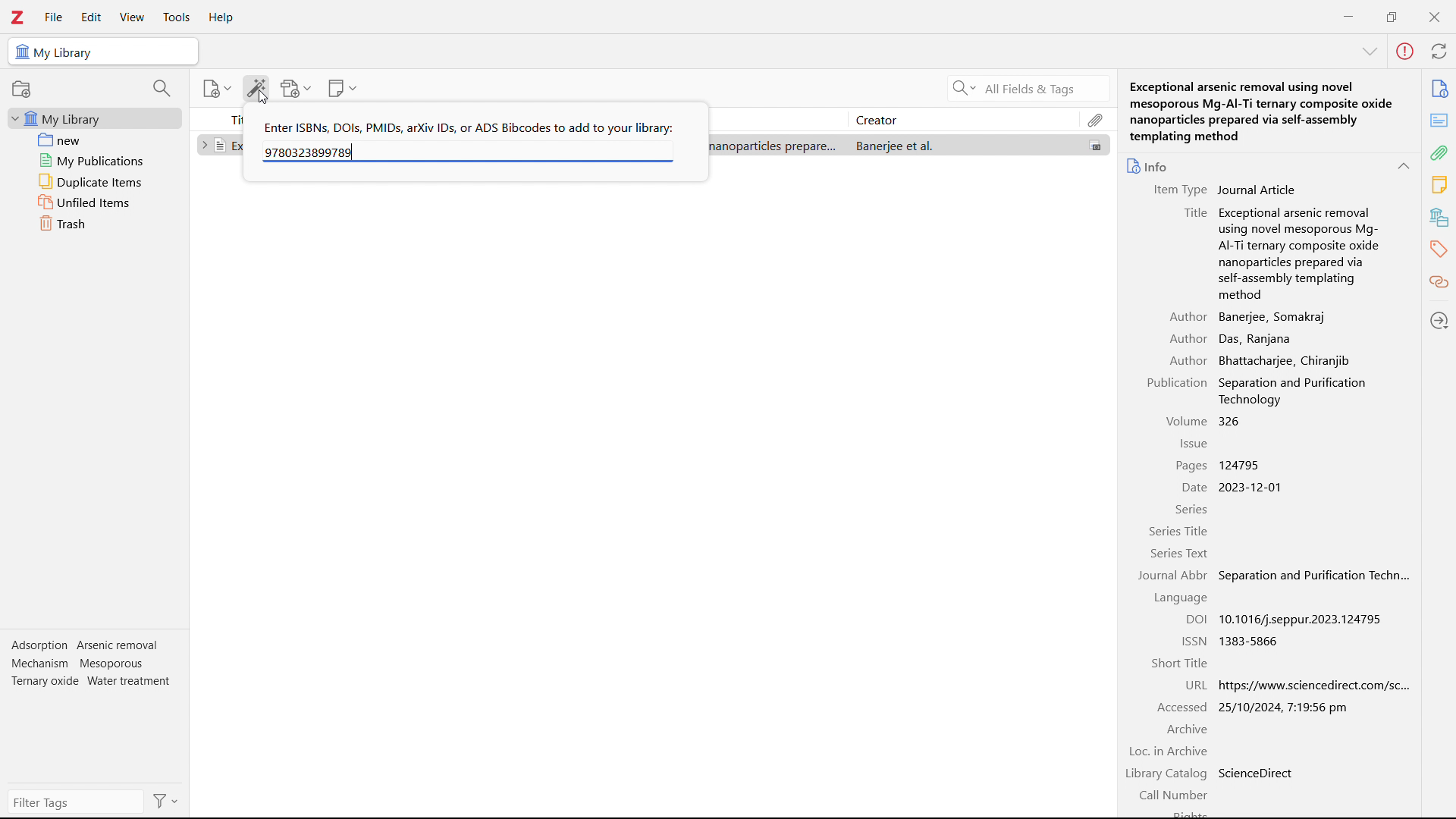 Image resolution: width=1456 pixels, height=819 pixels. What do you see at coordinates (1182, 707) in the screenshot?
I see `accessed` at bounding box center [1182, 707].